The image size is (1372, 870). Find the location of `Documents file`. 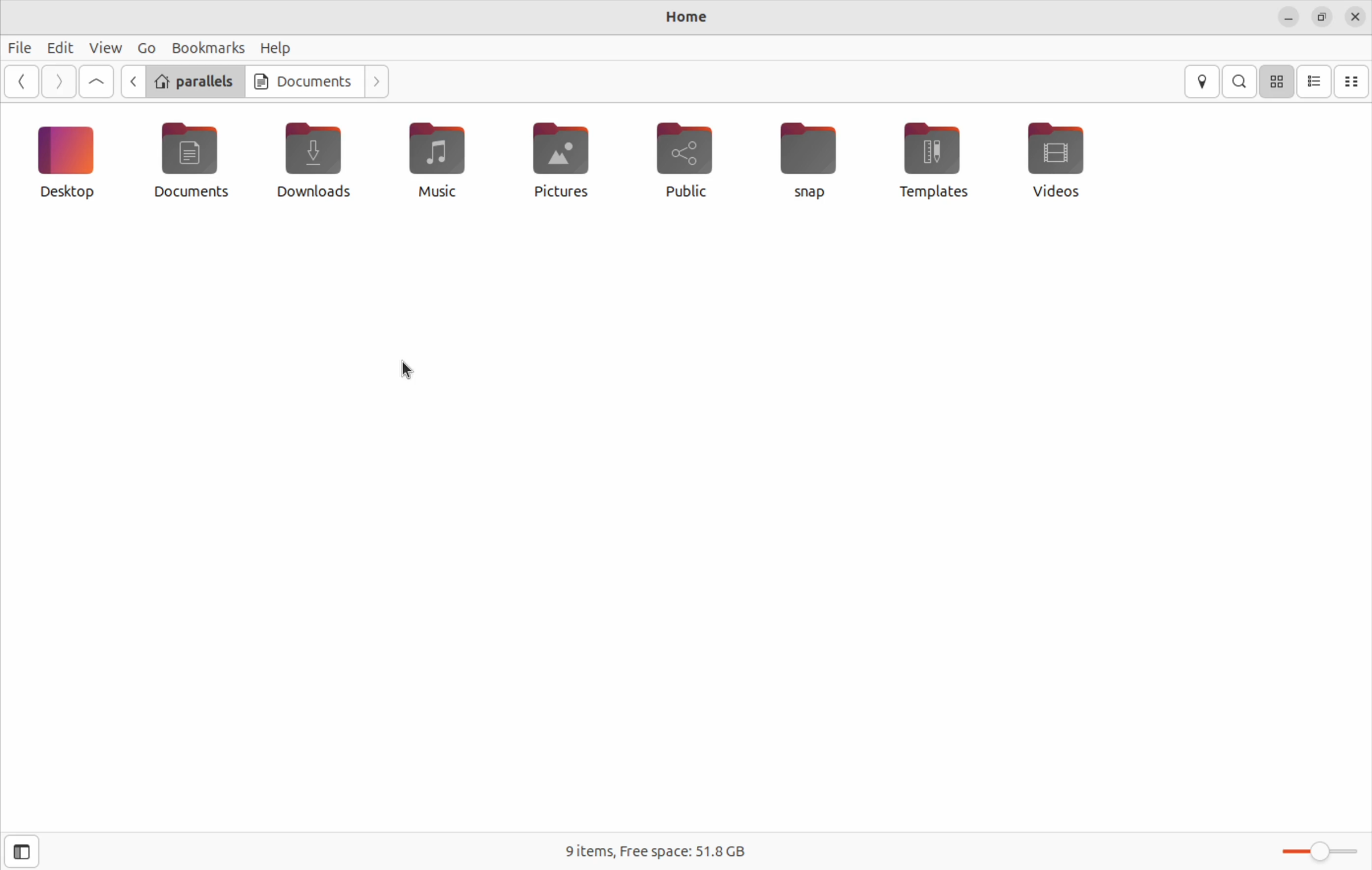

Documents file is located at coordinates (1069, 160).